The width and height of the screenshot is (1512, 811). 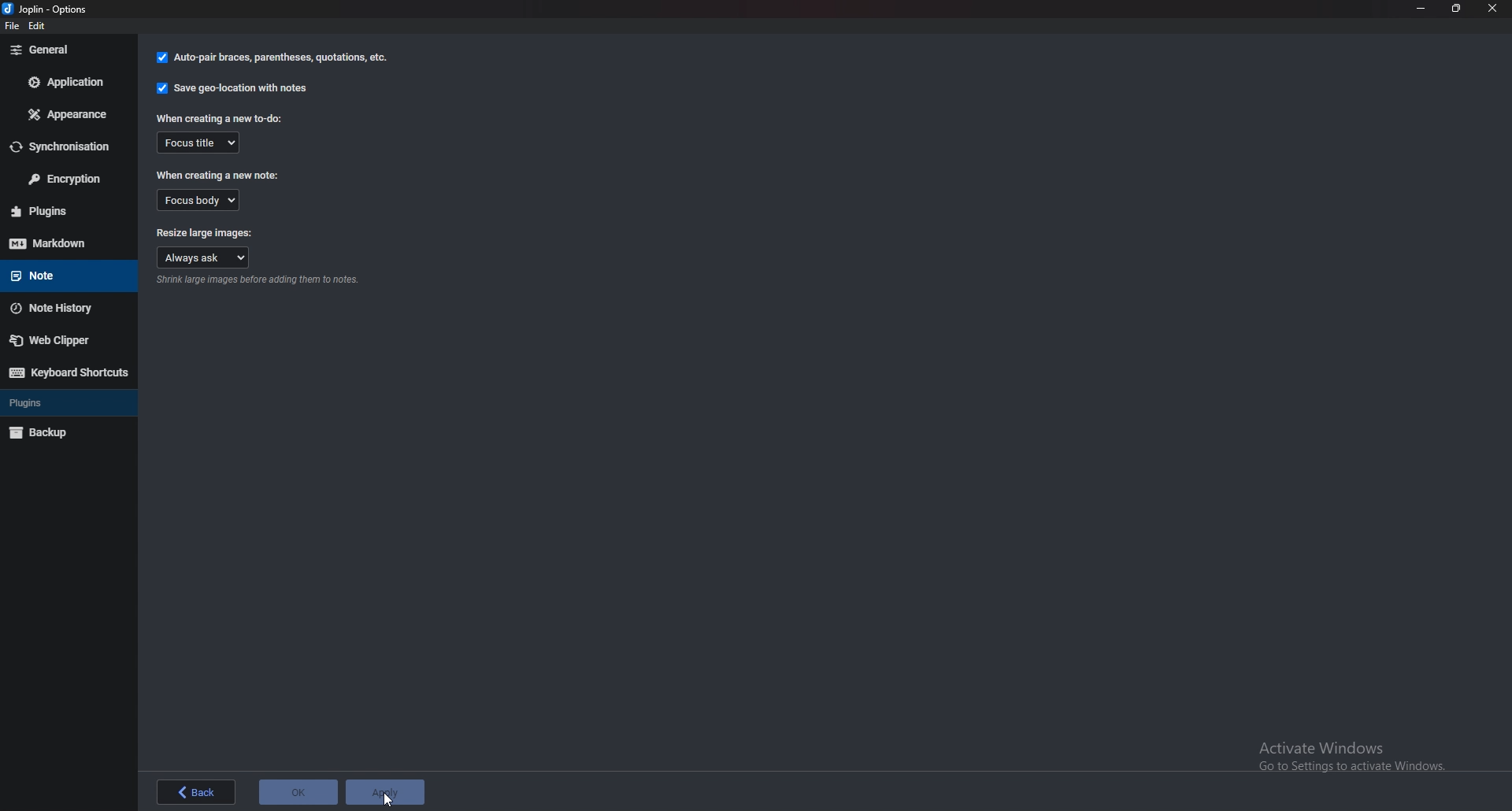 What do you see at coordinates (300, 792) in the screenshot?
I see `ok` at bounding box center [300, 792].